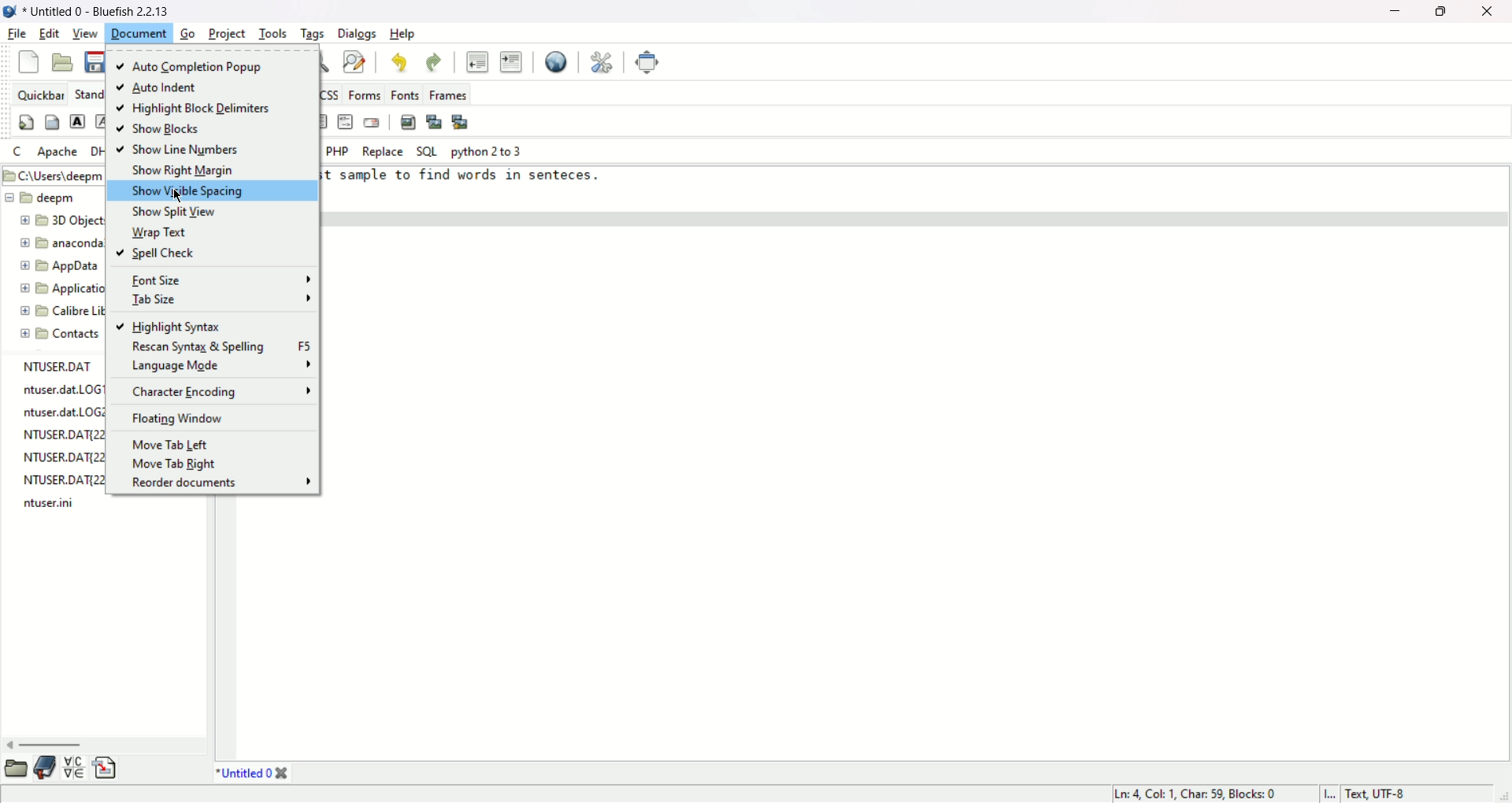 This screenshot has width=1512, height=803. Describe the element at coordinates (461, 175) in the screenshot. I see `this is test sample to find words in senteces.` at that location.